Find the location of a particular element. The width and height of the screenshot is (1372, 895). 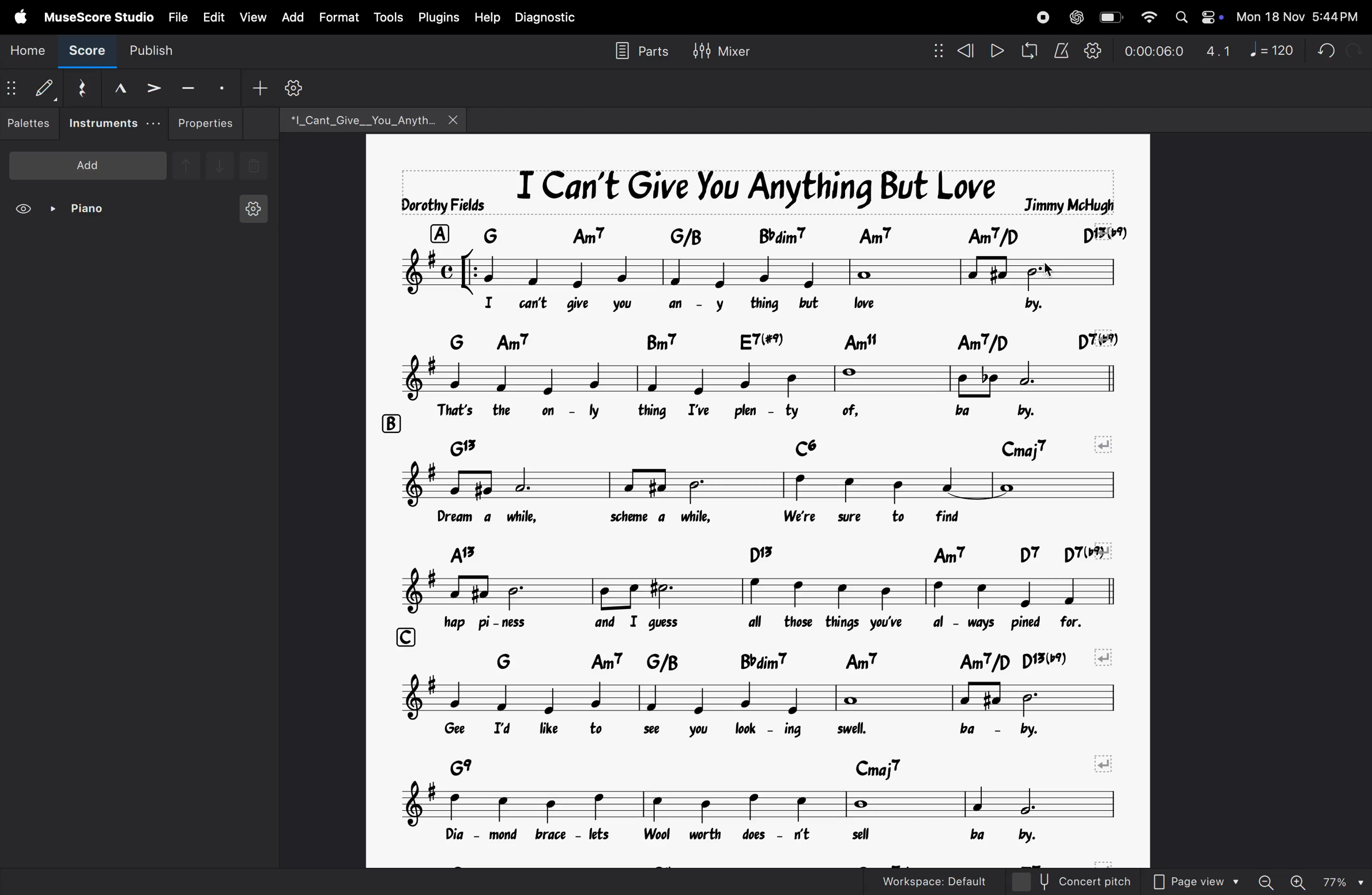

lyrics is located at coordinates (783, 411).